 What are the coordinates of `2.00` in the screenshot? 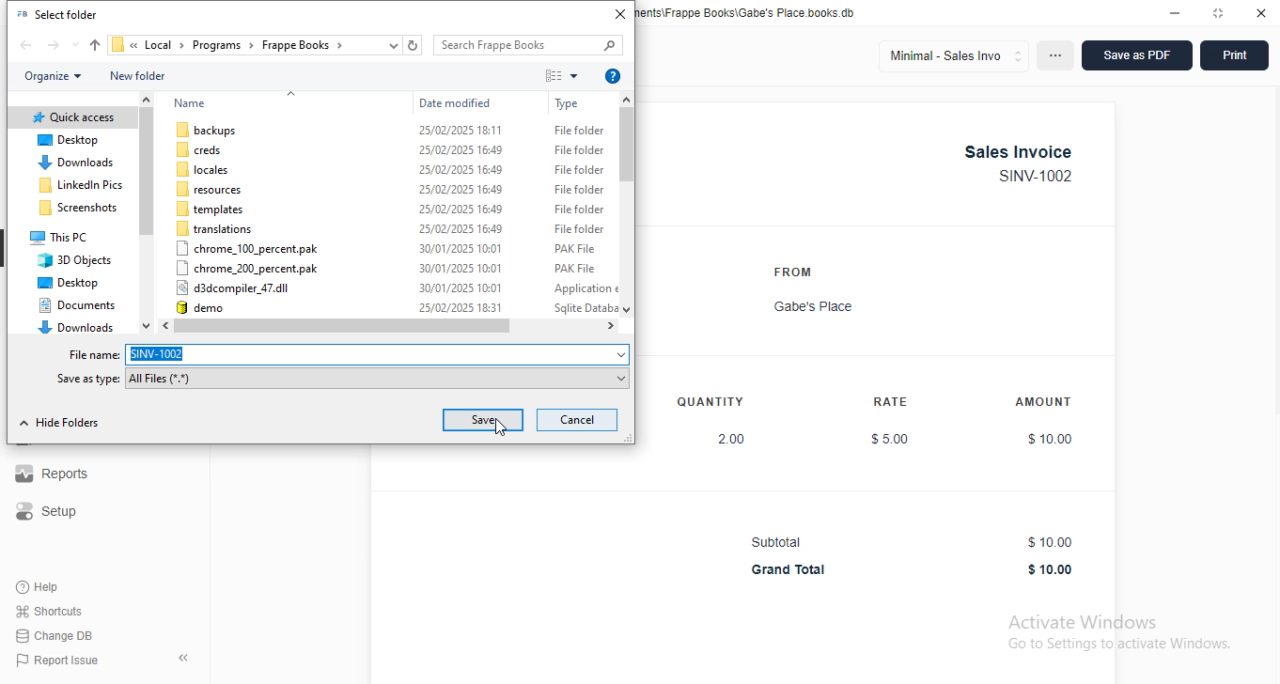 It's located at (733, 439).